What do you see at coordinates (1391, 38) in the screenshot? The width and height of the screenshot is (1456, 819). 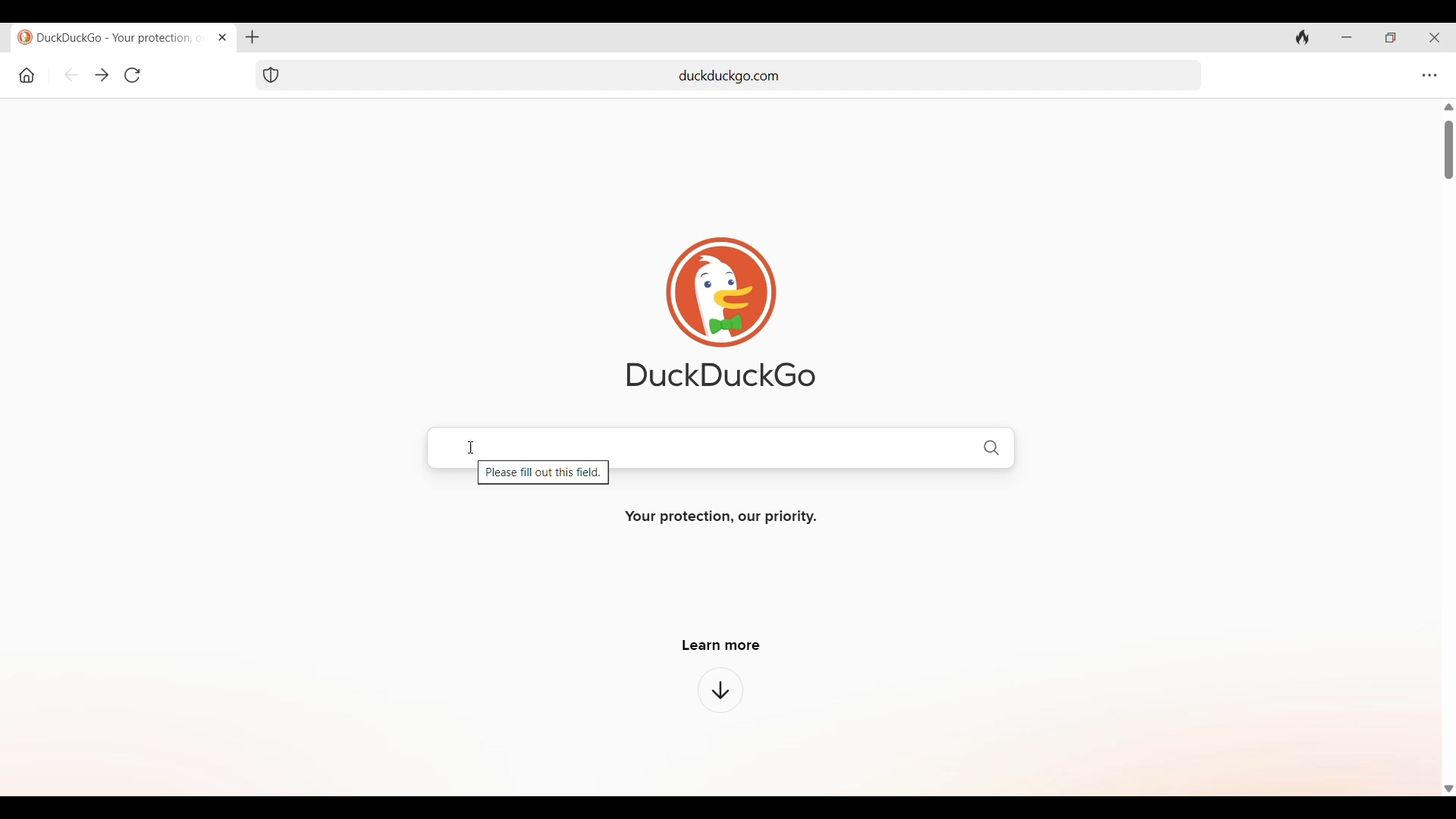 I see `Show interface in a smaller tab` at bounding box center [1391, 38].